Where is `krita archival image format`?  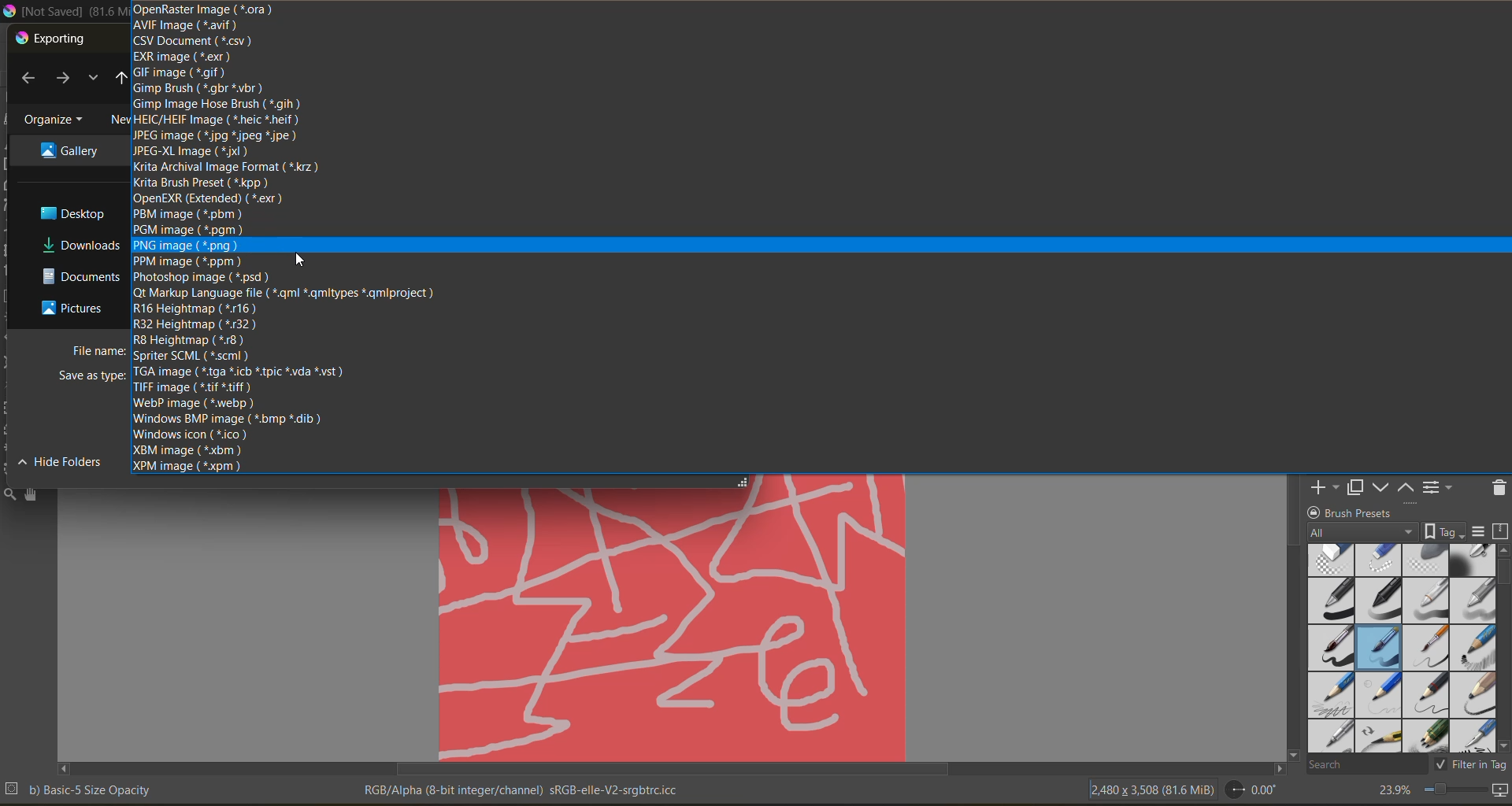
krita archival image format is located at coordinates (229, 168).